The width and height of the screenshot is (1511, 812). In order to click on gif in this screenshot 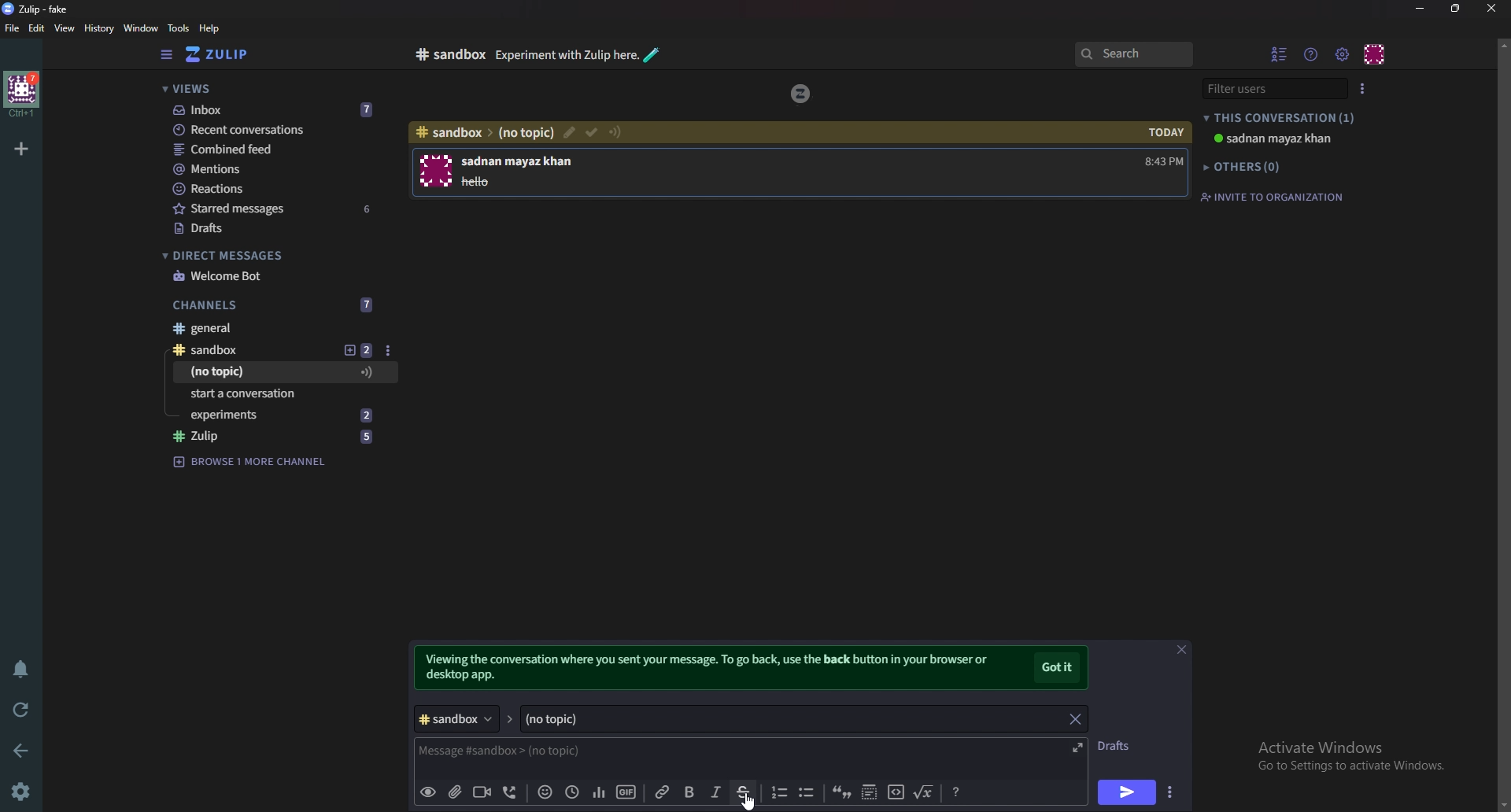, I will do `click(626, 794)`.